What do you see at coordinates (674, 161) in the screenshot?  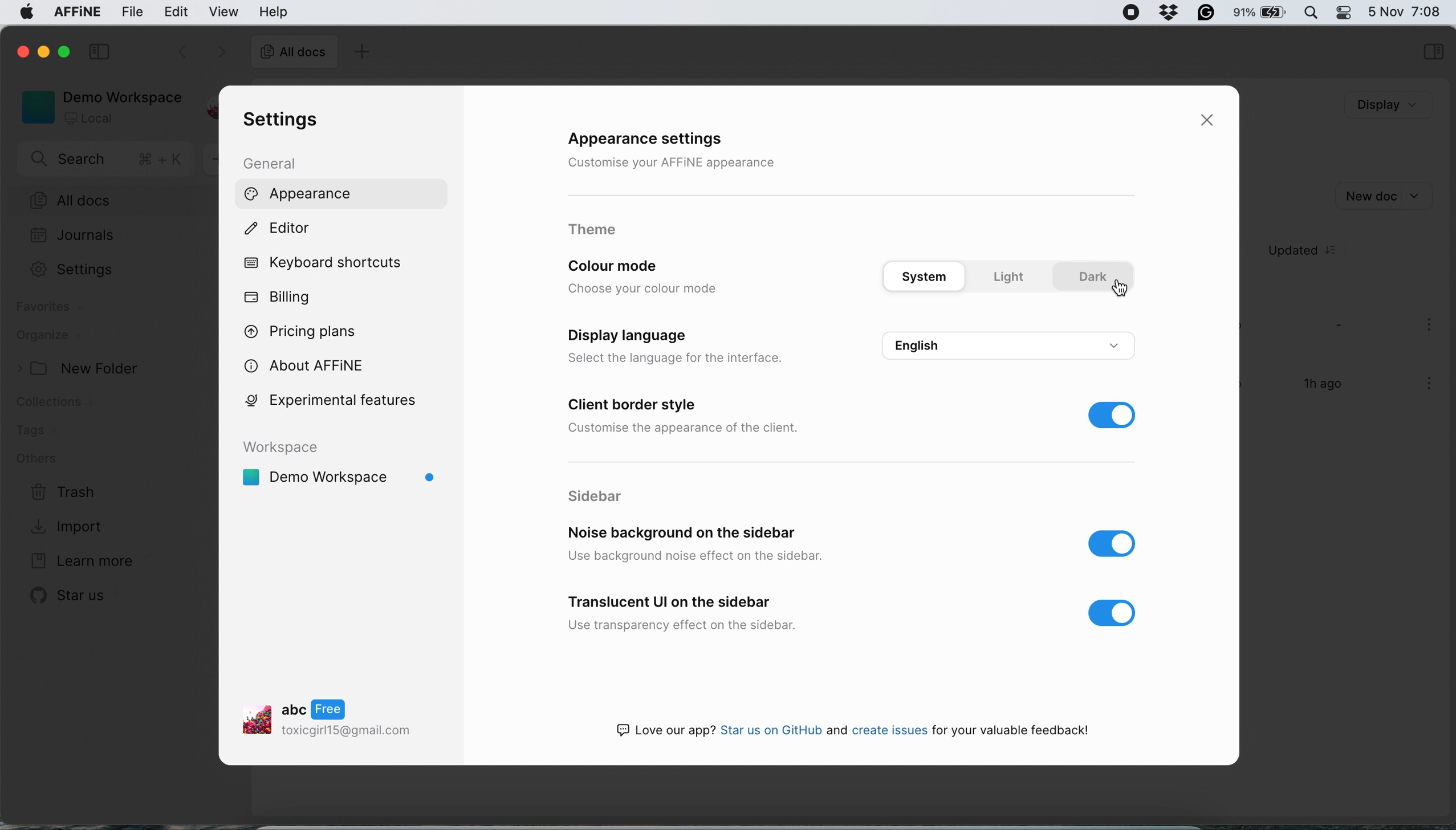 I see `customise your affine appearance` at bounding box center [674, 161].